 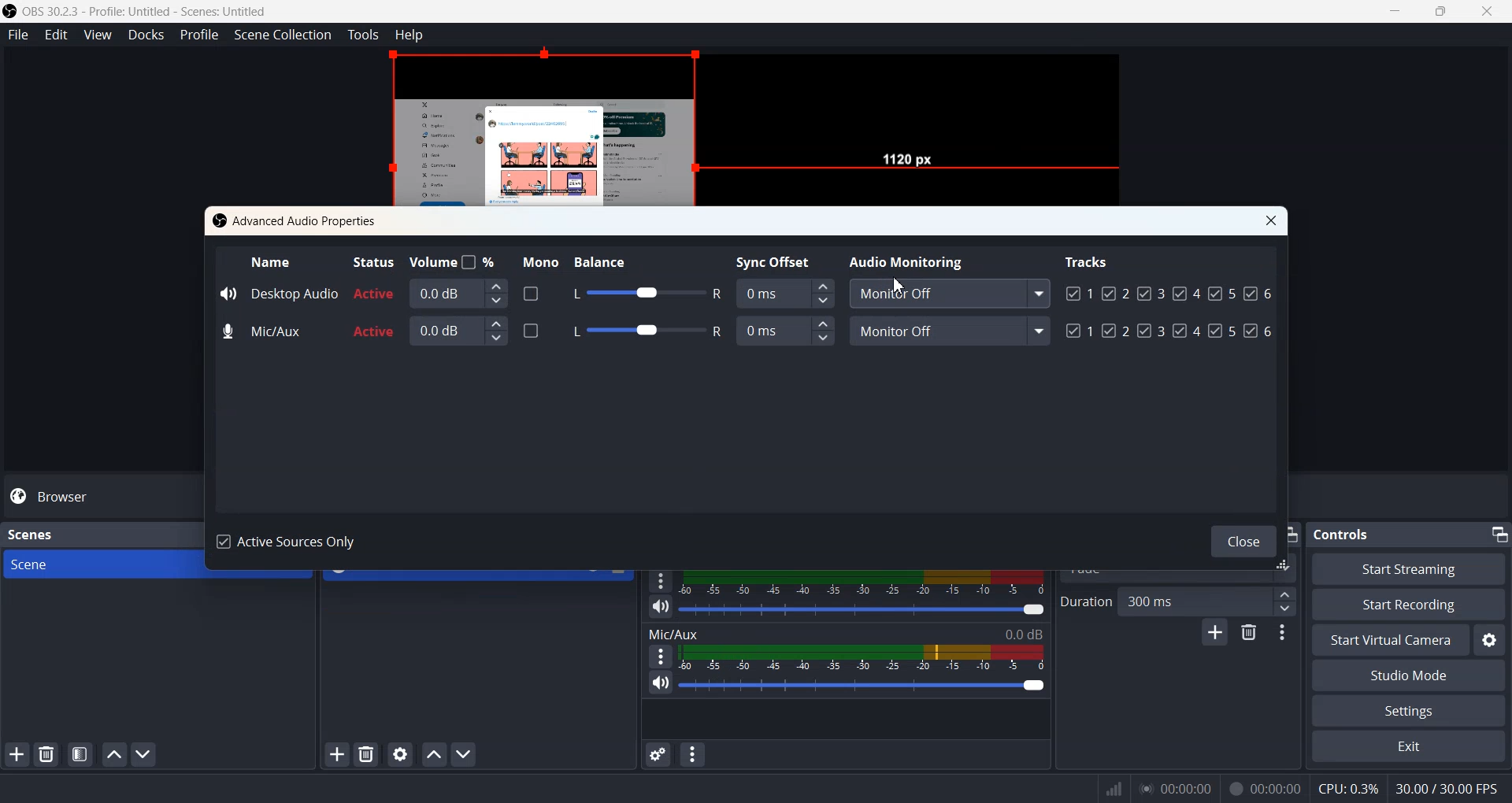 What do you see at coordinates (409, 34) in the screenshot?
I see `Help` at bounding box center [409, 34].